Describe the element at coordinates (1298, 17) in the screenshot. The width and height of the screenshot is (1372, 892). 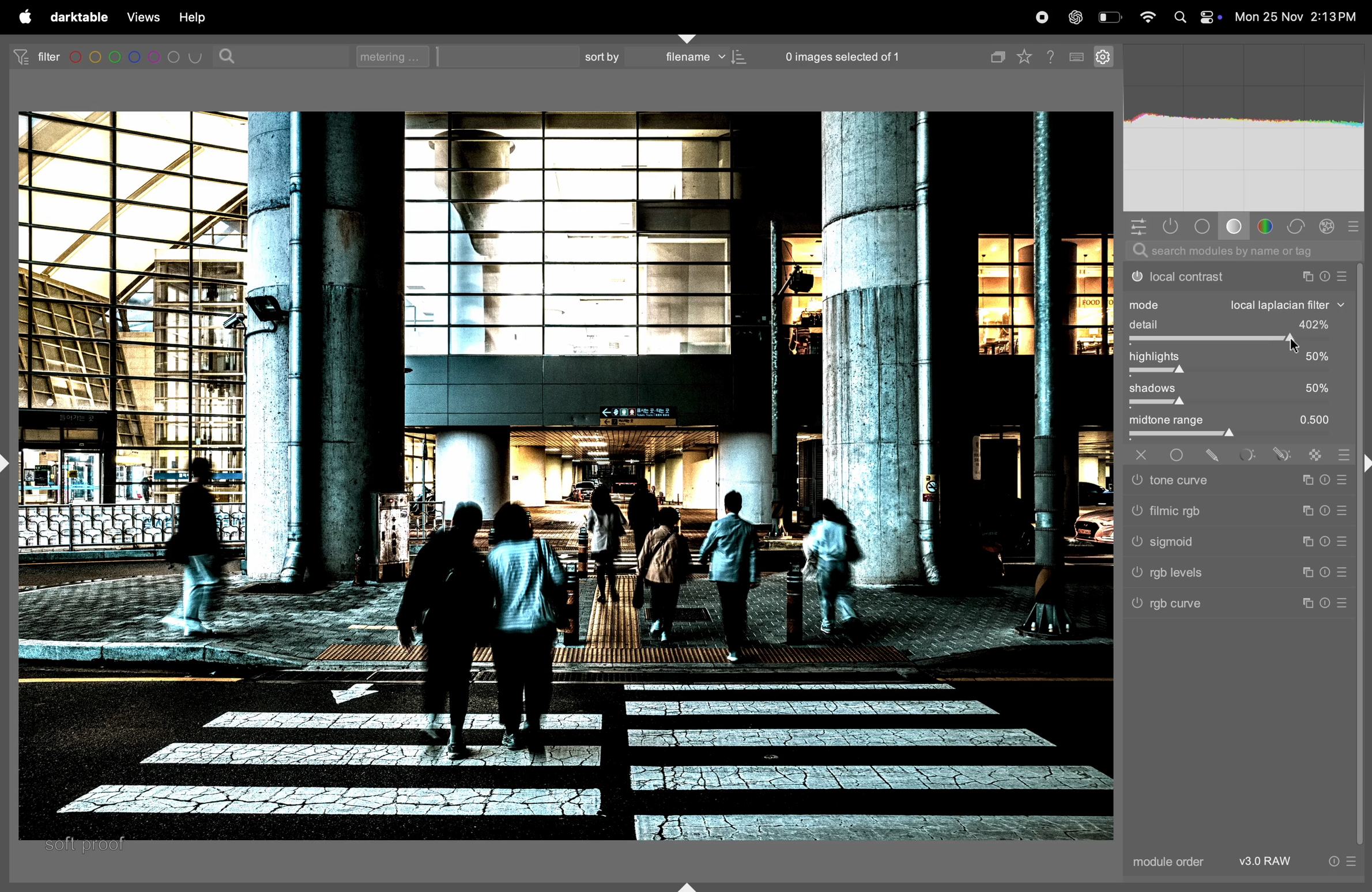
I see `date and time` at that location.